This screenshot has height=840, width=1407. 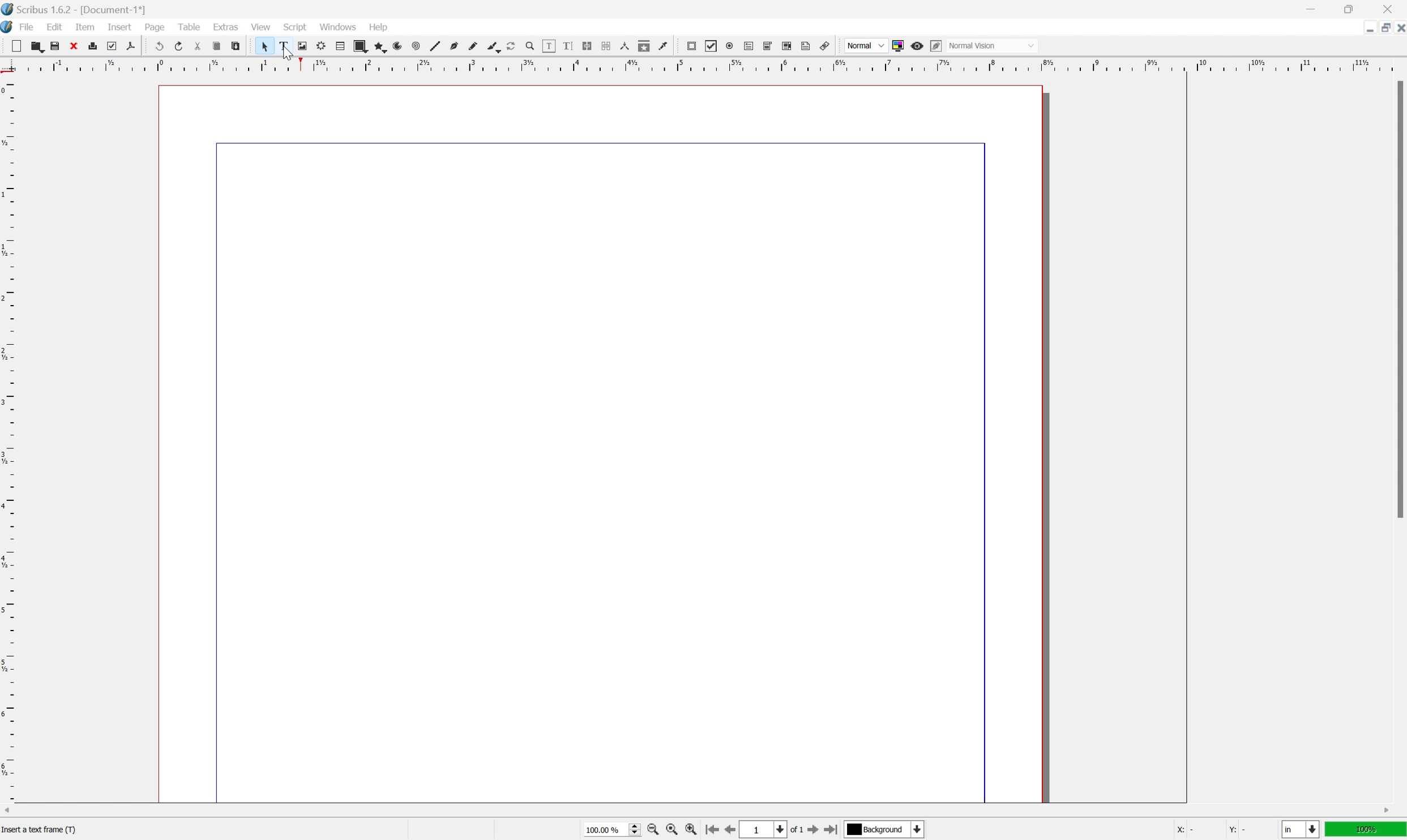 What do you see at coordinates (587, 45) in the screenshot?
I see `link text frames` at bounding box center [587, 45].